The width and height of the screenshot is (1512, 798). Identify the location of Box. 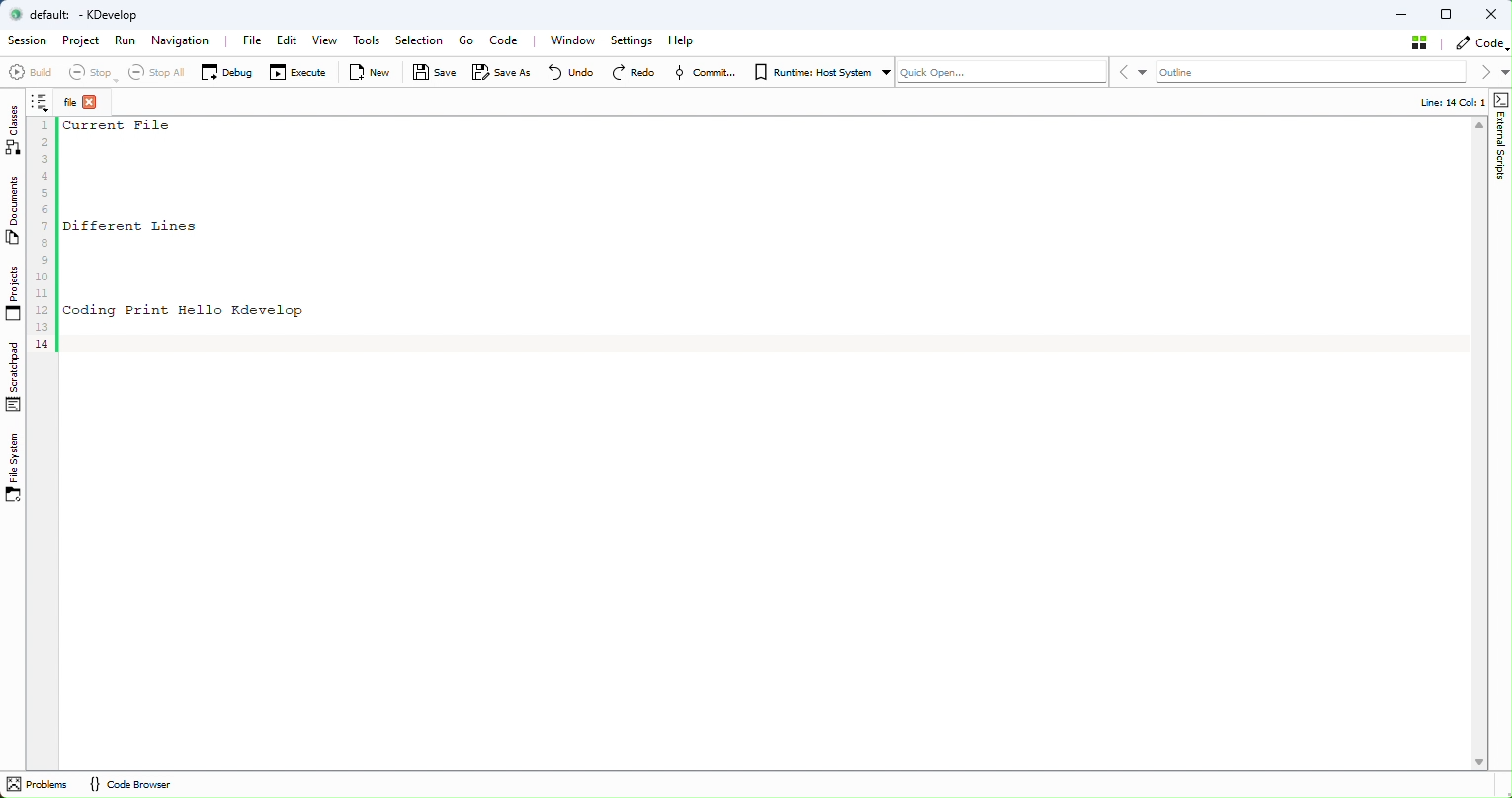
(1449, 14).